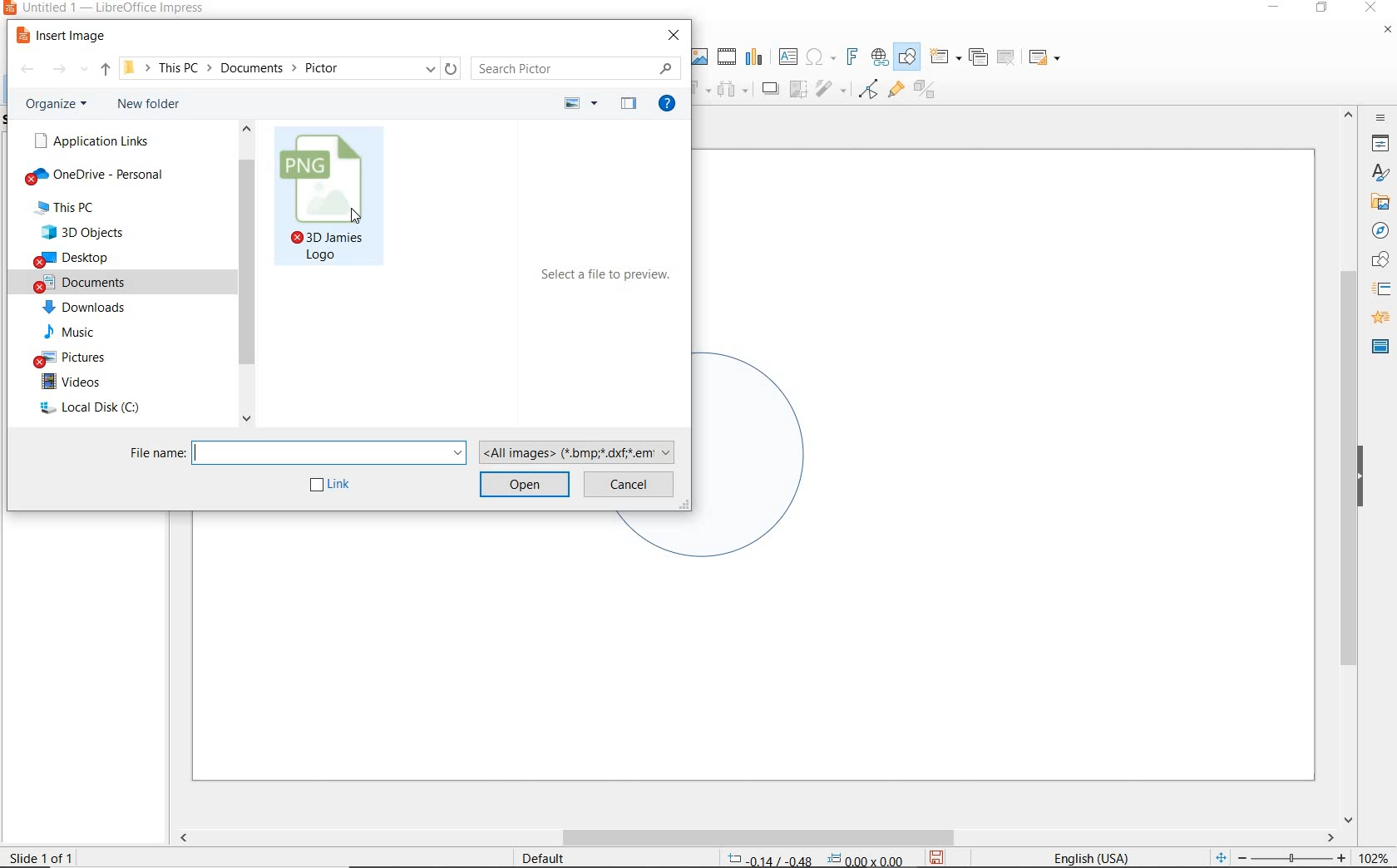 Image resolution: width=1397 pixels, height=868 pixels. Describe the element at coordinates (153, 106) in the screenshot. I see `new folder` at that location.